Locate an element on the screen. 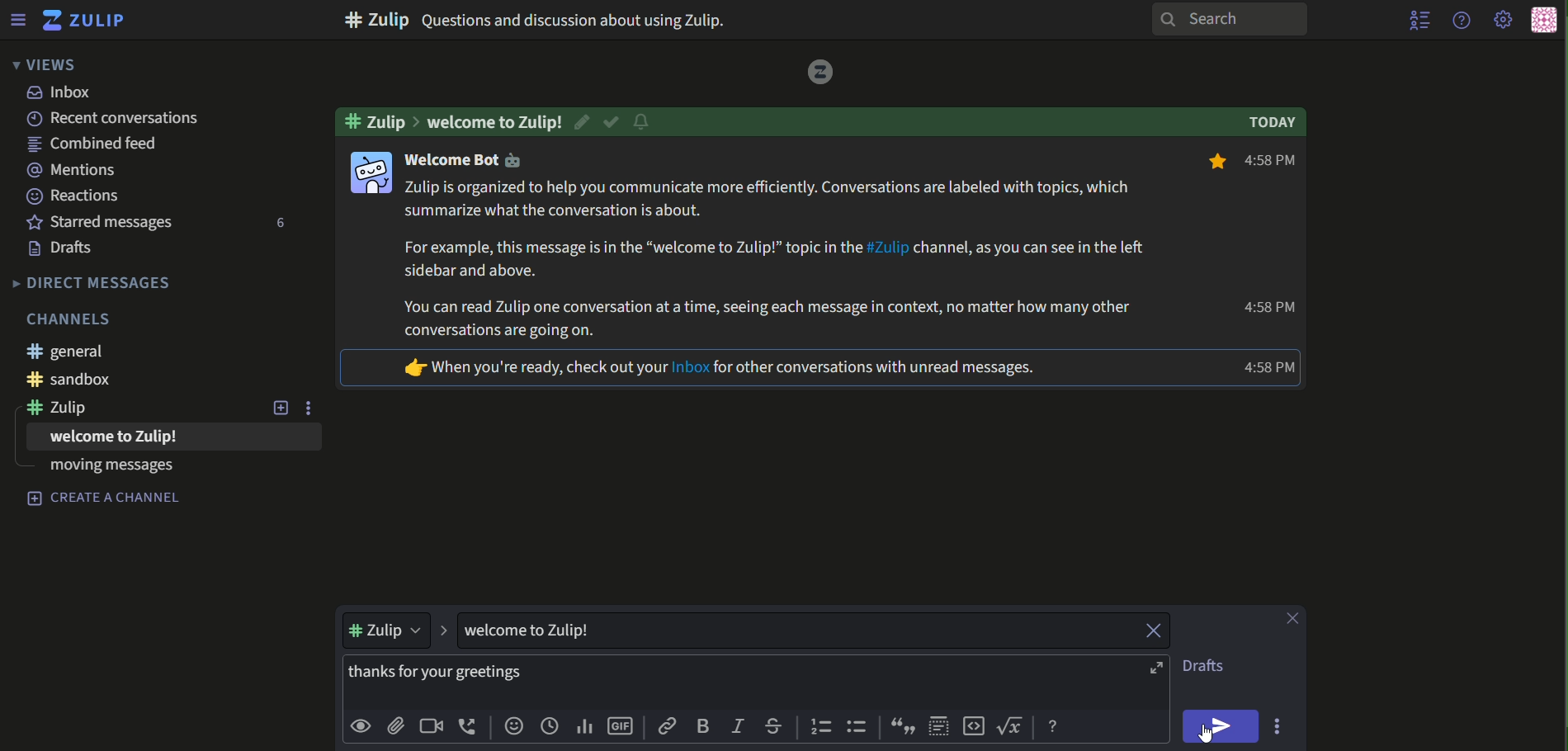 This screenshot has height=751, width=1568. logo is located at coordinates (816, 73).